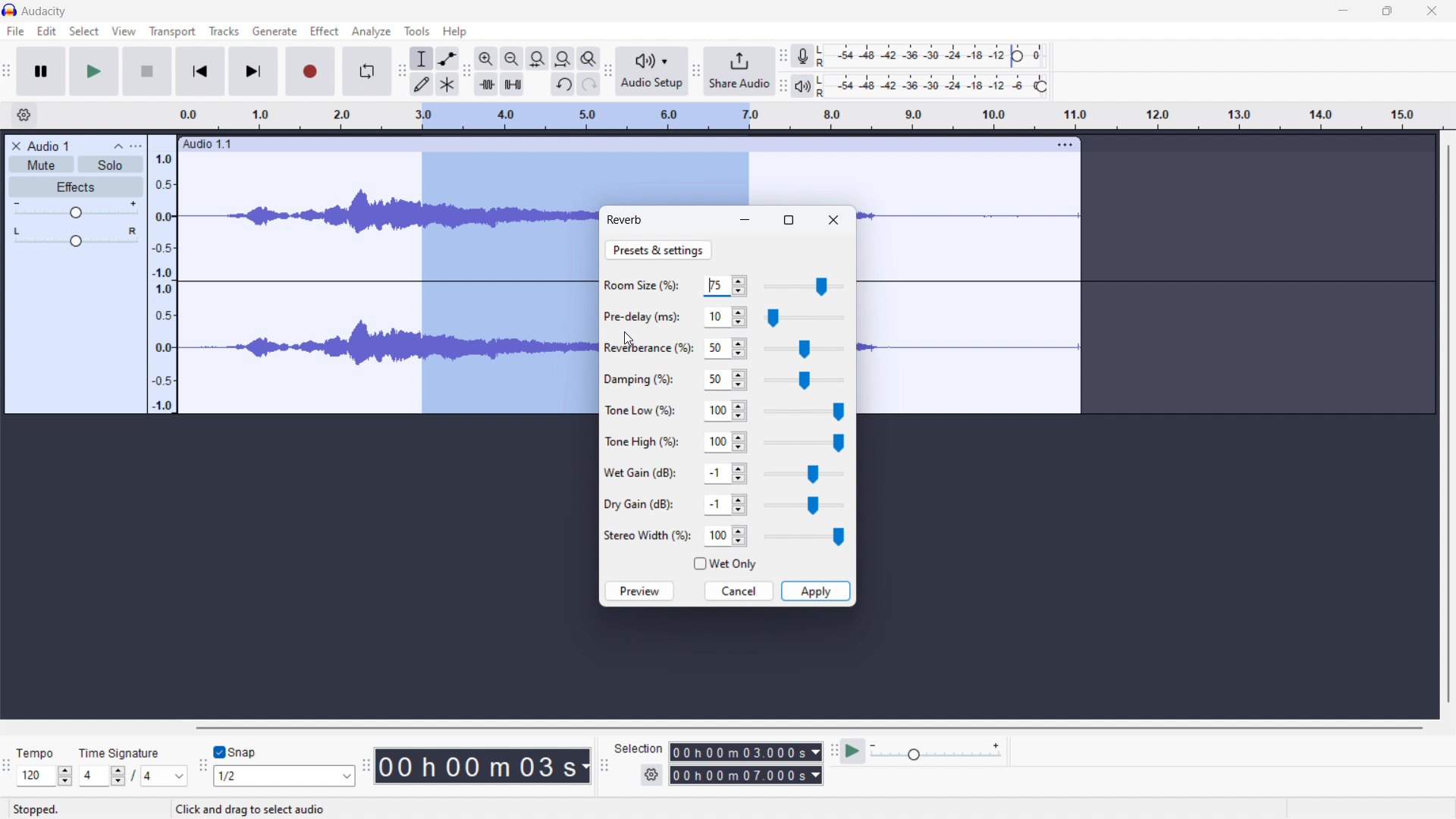 The height and width of the screenshot is (819, 1456). Describe the element at coordinates (488, 84) in the screenshot. I see `trim audio outside selection` at that location.